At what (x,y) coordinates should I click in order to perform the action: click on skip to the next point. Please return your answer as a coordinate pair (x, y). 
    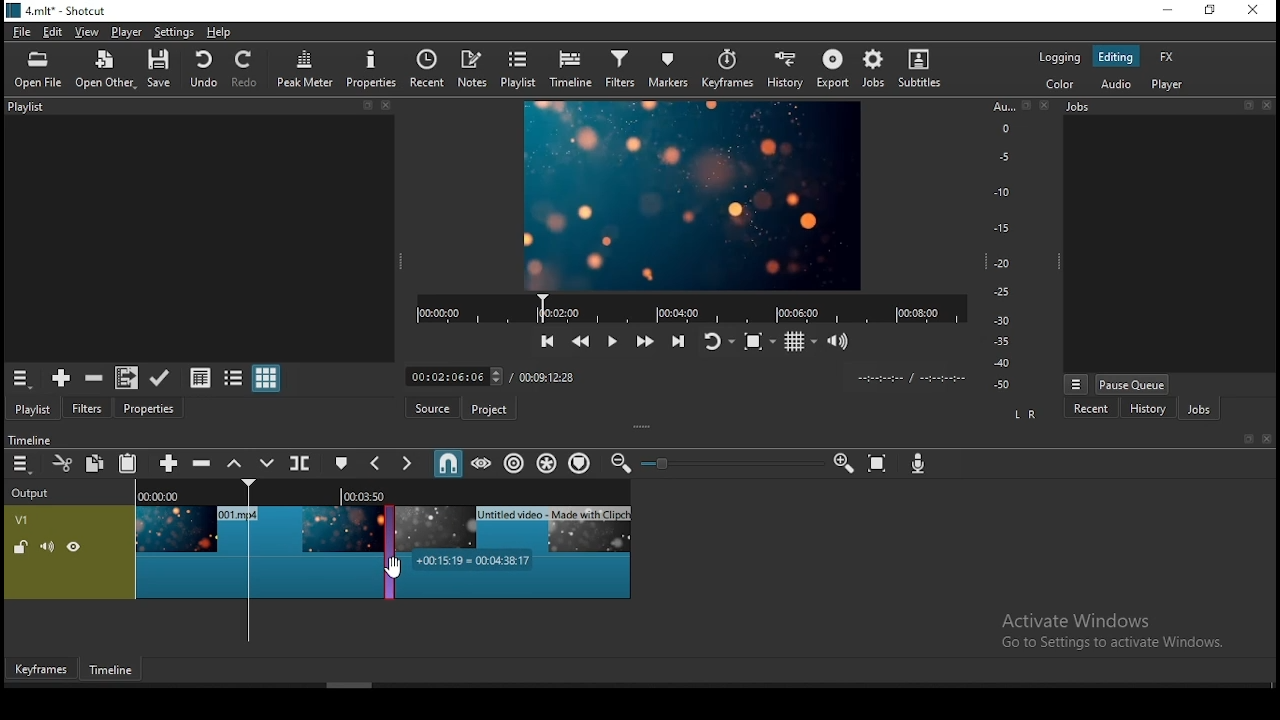
    Looking at the image, I should click on (679, 342).